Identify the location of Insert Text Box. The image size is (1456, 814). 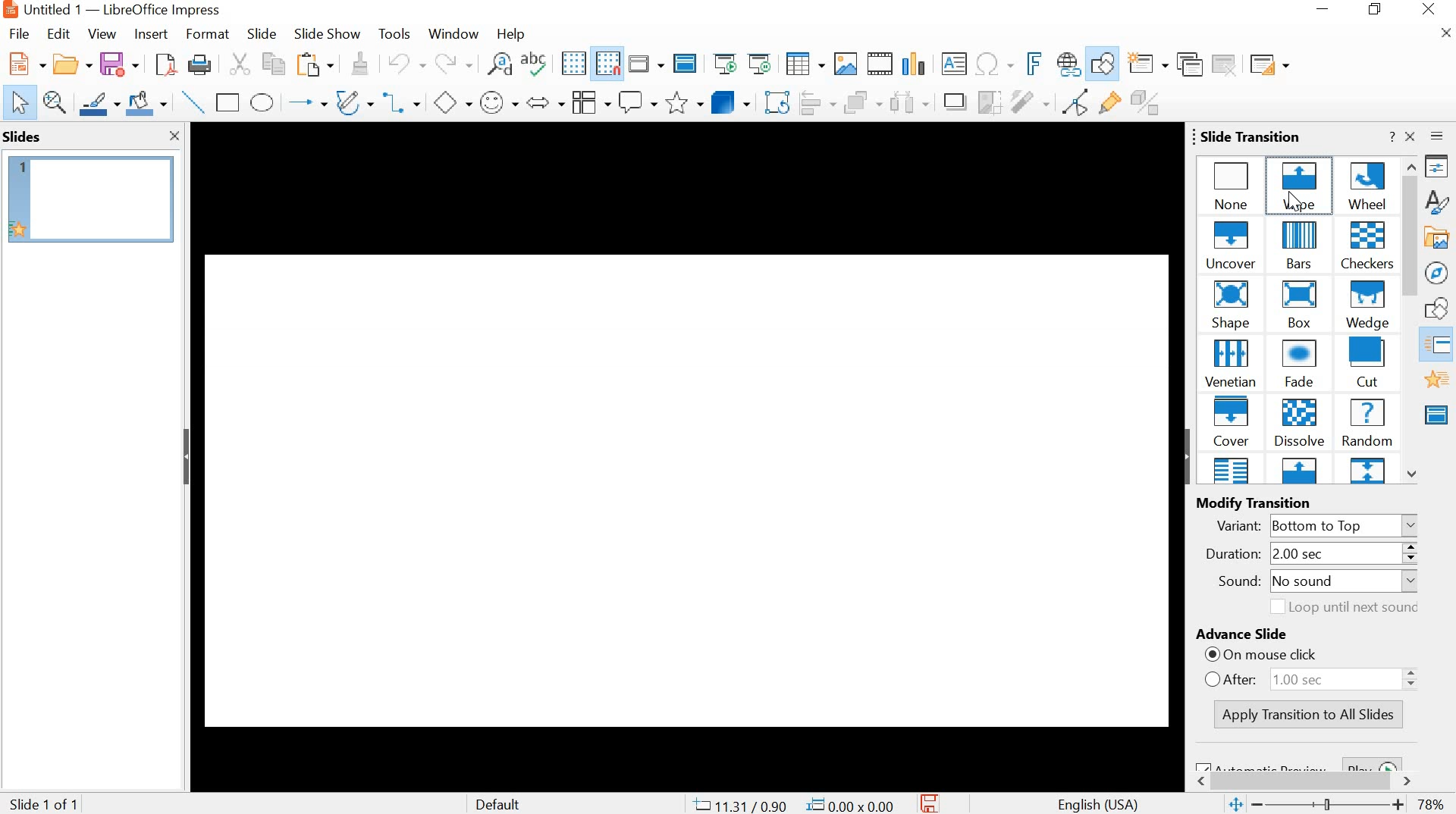
(954, 64).